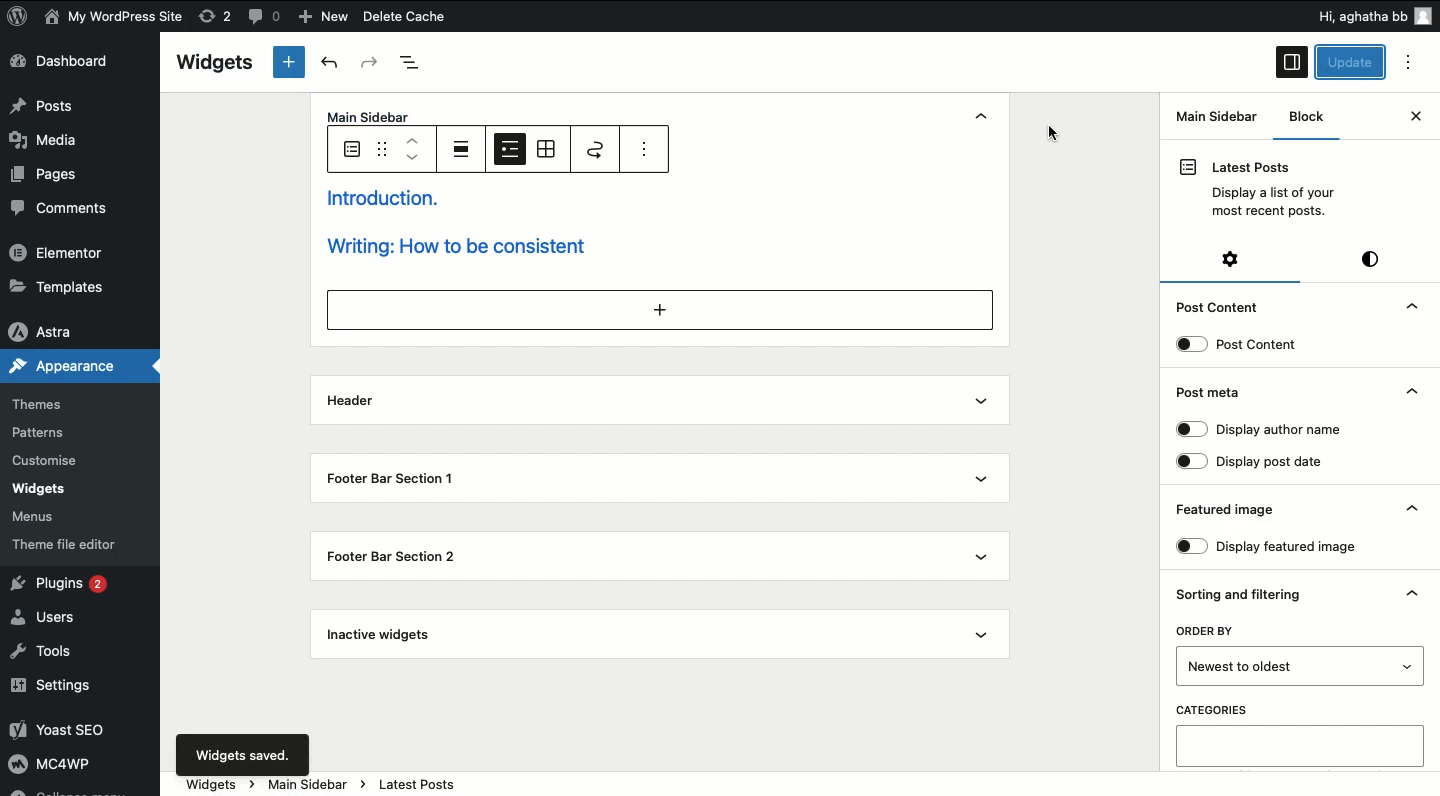  Describe the element at coordinates (332, 63) in the screenshot. I see `Undo` at that location.